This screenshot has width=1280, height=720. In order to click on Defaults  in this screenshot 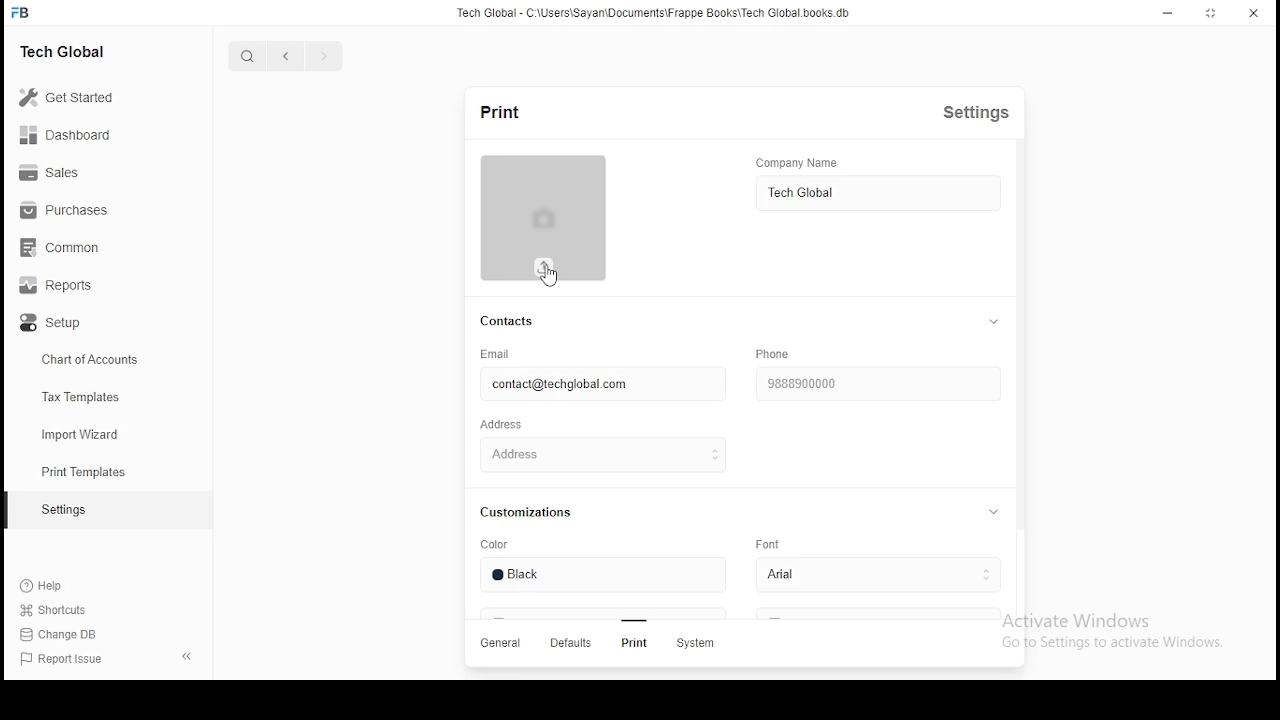, I will do `click(569, 645)`.